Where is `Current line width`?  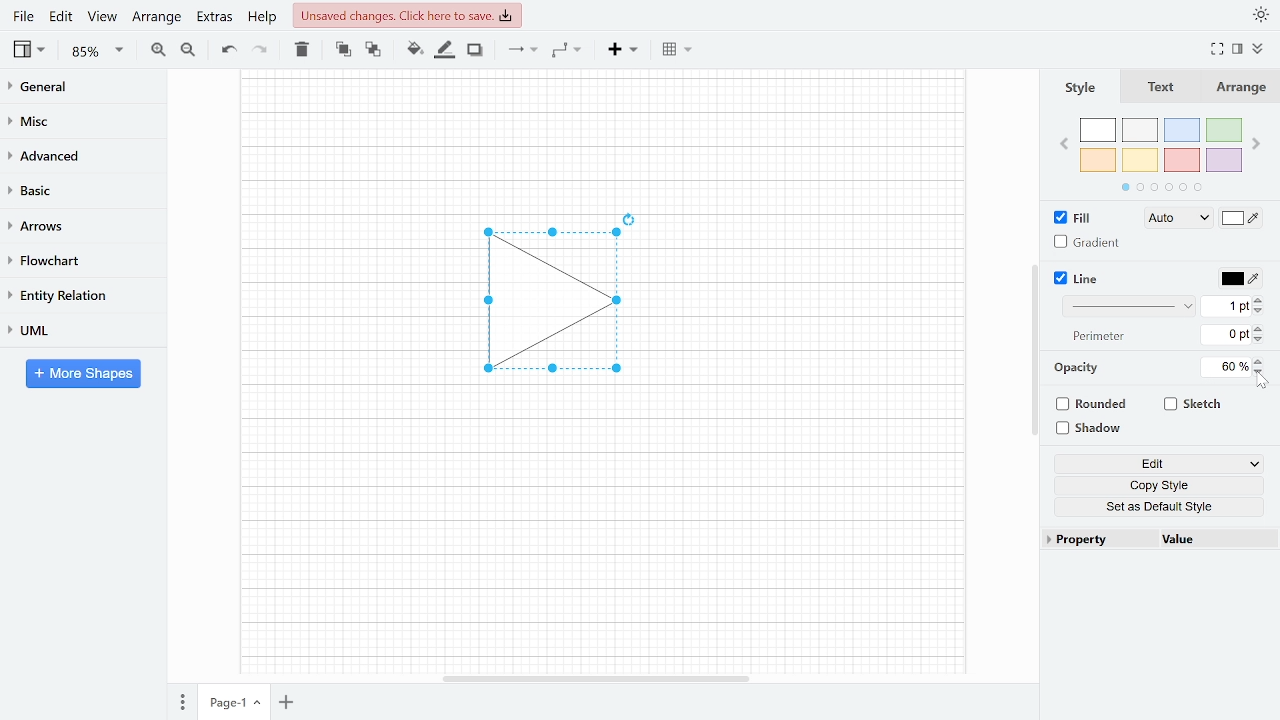 Current line width is located at coordinates (1227, 305).